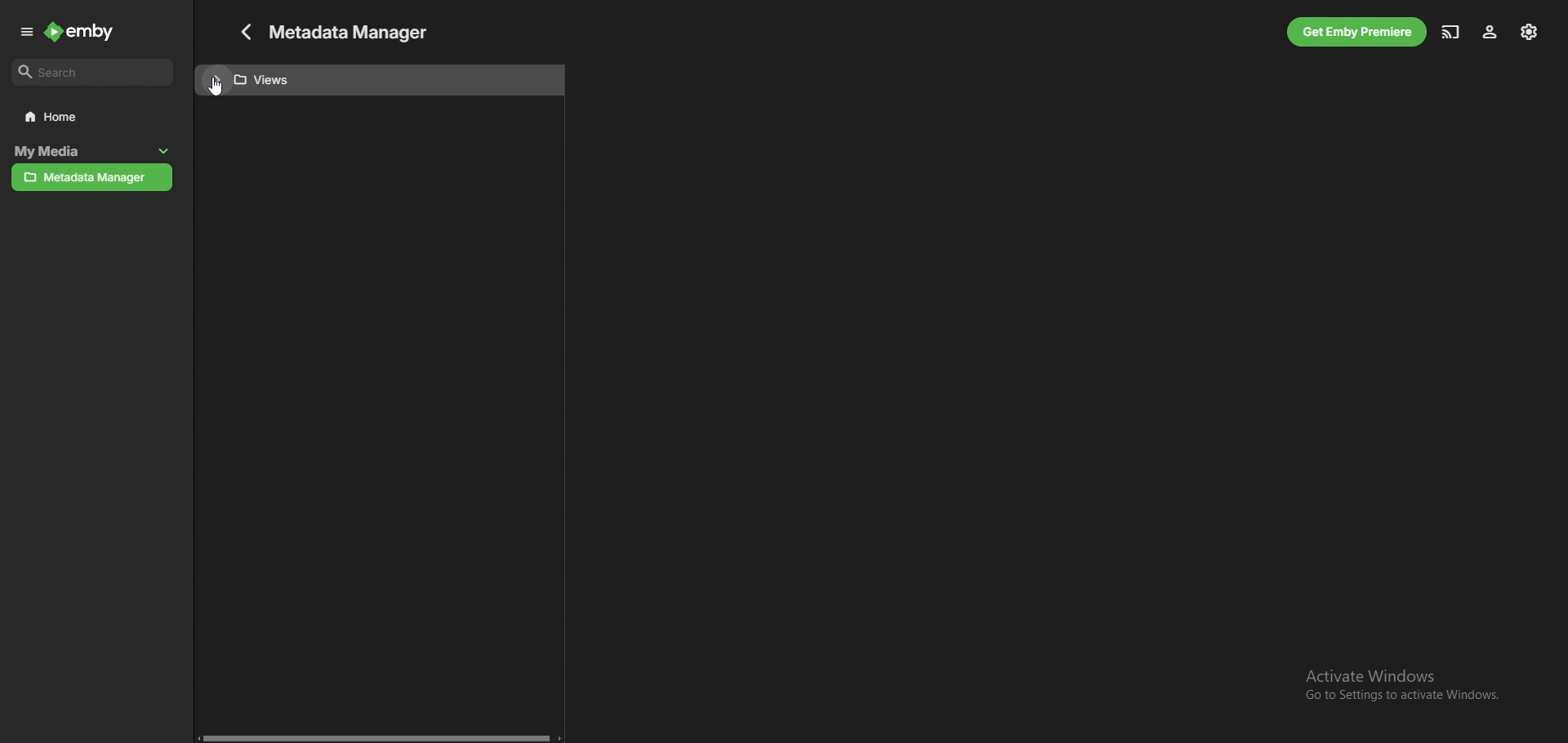 This screenshot has width=1568, height=743. I want to click on search bar, so click(93, 73).